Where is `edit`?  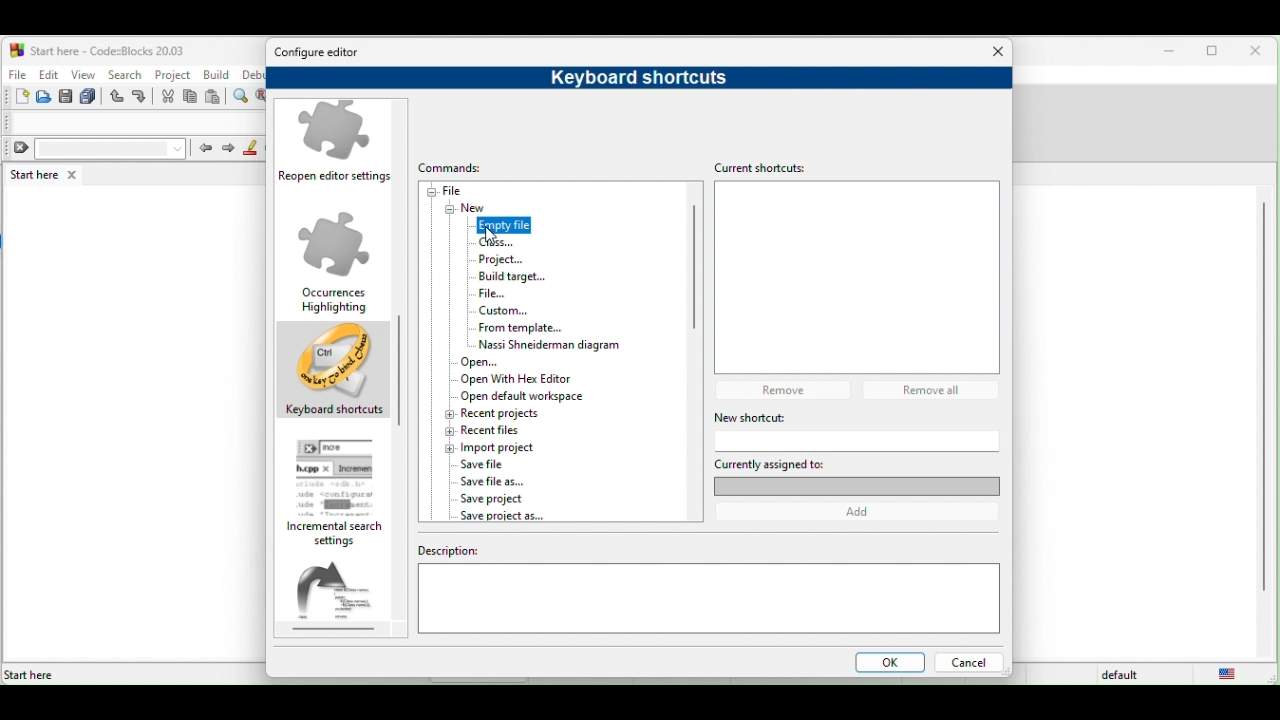
edit is located at coordinates (48, 74).